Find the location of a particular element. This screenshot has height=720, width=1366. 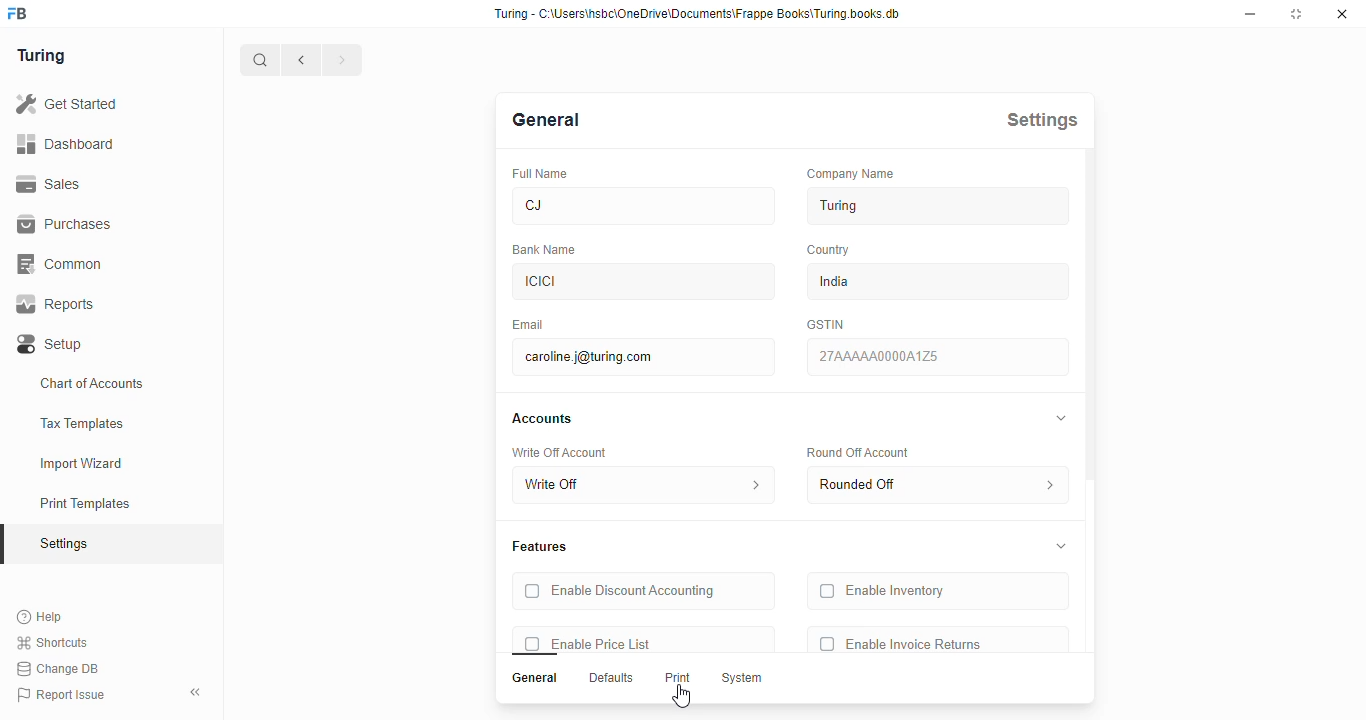

purchases is located at coordinates (64, 224).